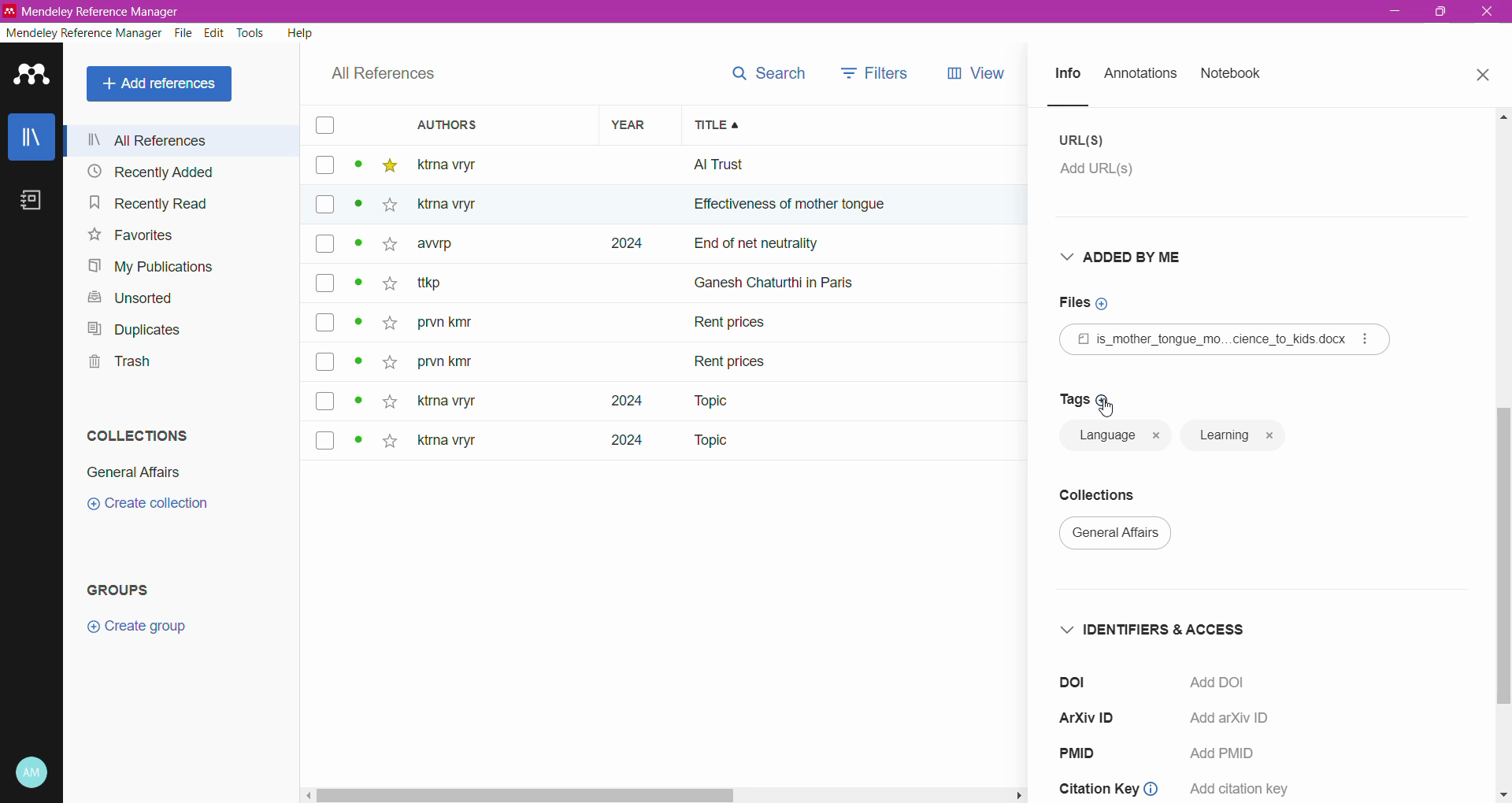 The image size is (1512, 803). Describe the element at coordinates (1235, 436) in the screenshot. I see `learning` at that location.